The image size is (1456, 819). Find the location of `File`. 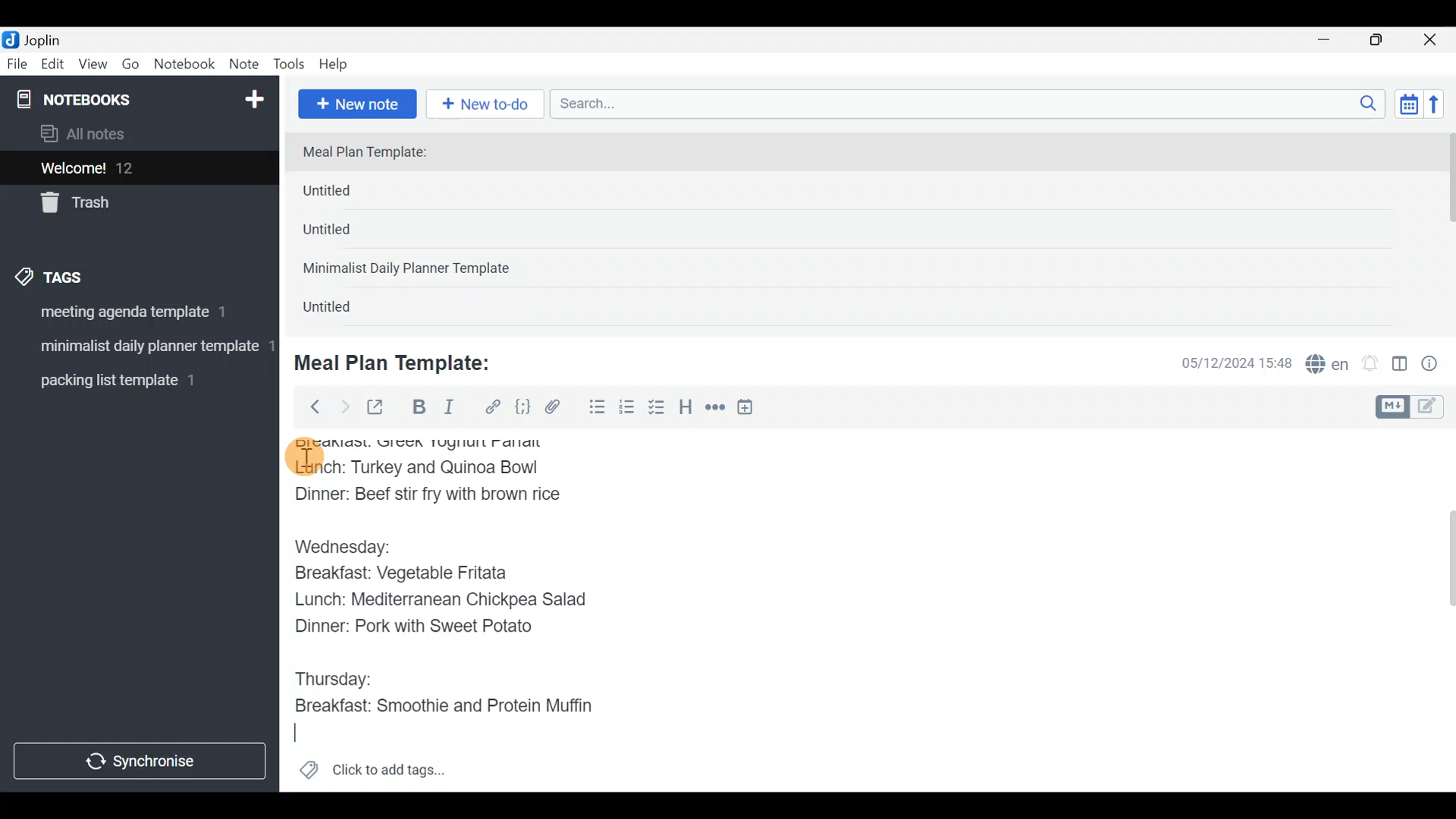

File is located at coordinates (18, 64).